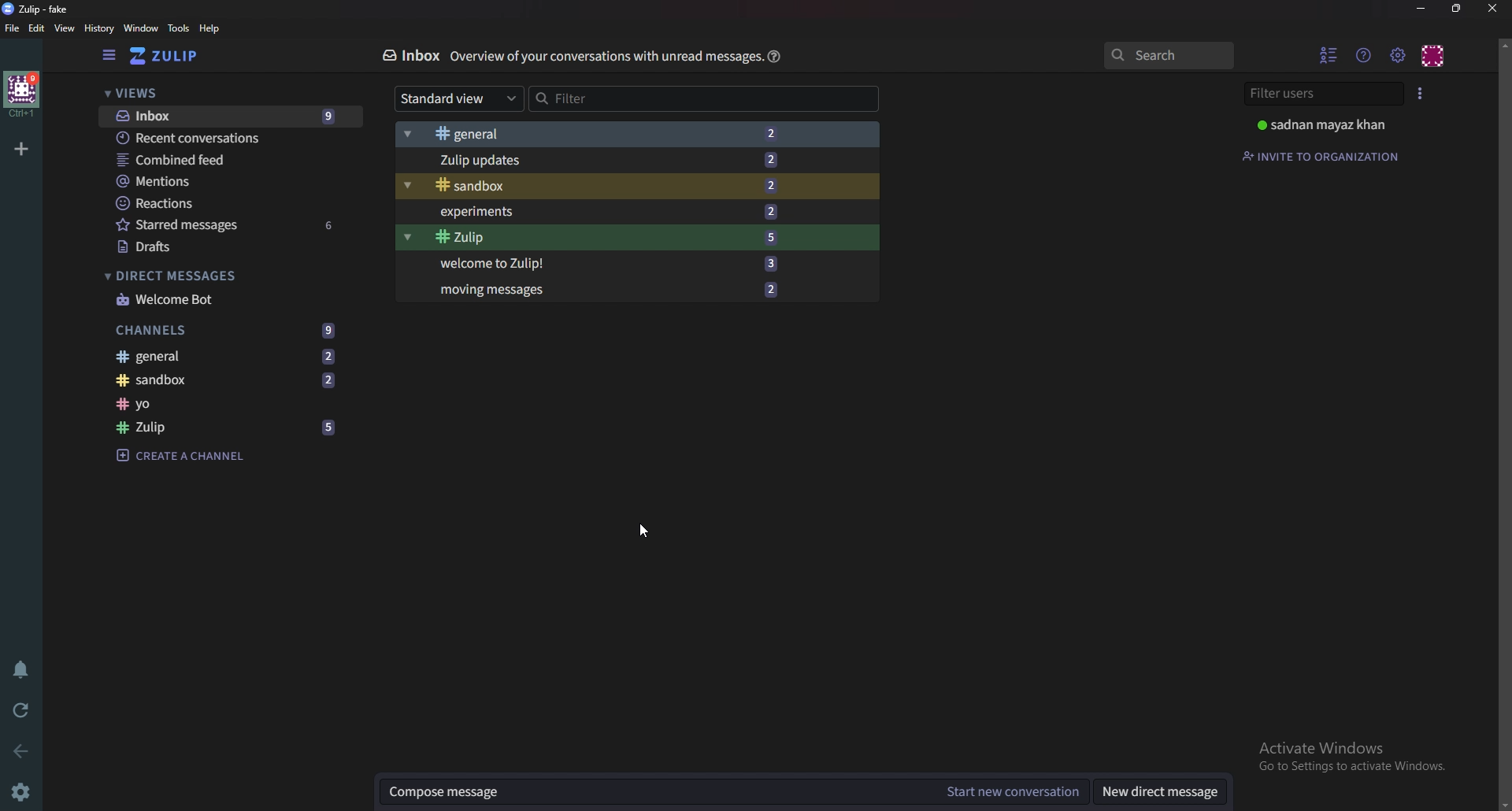 This screenshot has width=1512, height=811. What do you see at coordinates (22, 150) in the screenshot?
I see `Add workspace` at bounding box center [22, 150].